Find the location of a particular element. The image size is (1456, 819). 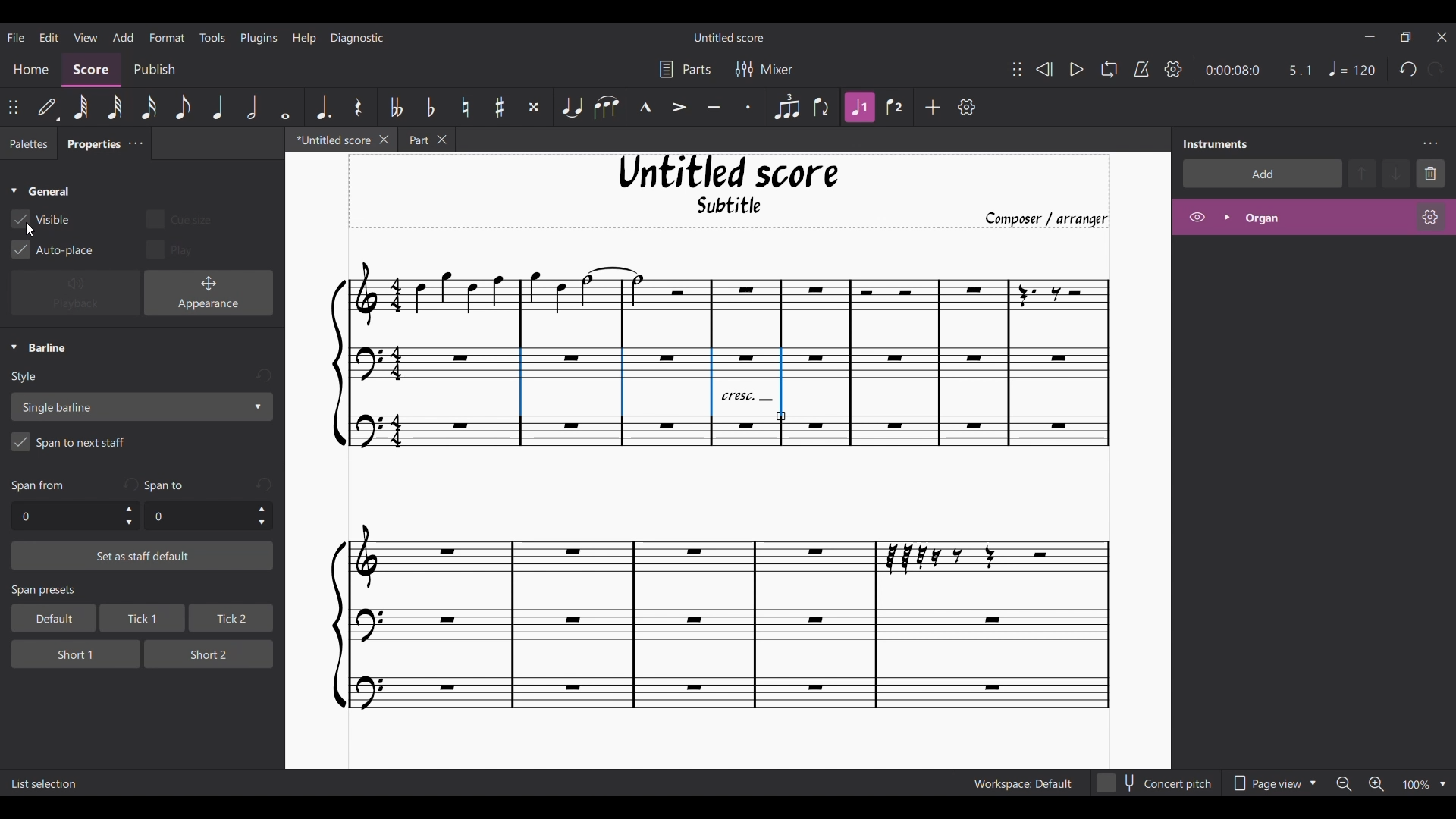

File menu is located at coordinates (16, 36).